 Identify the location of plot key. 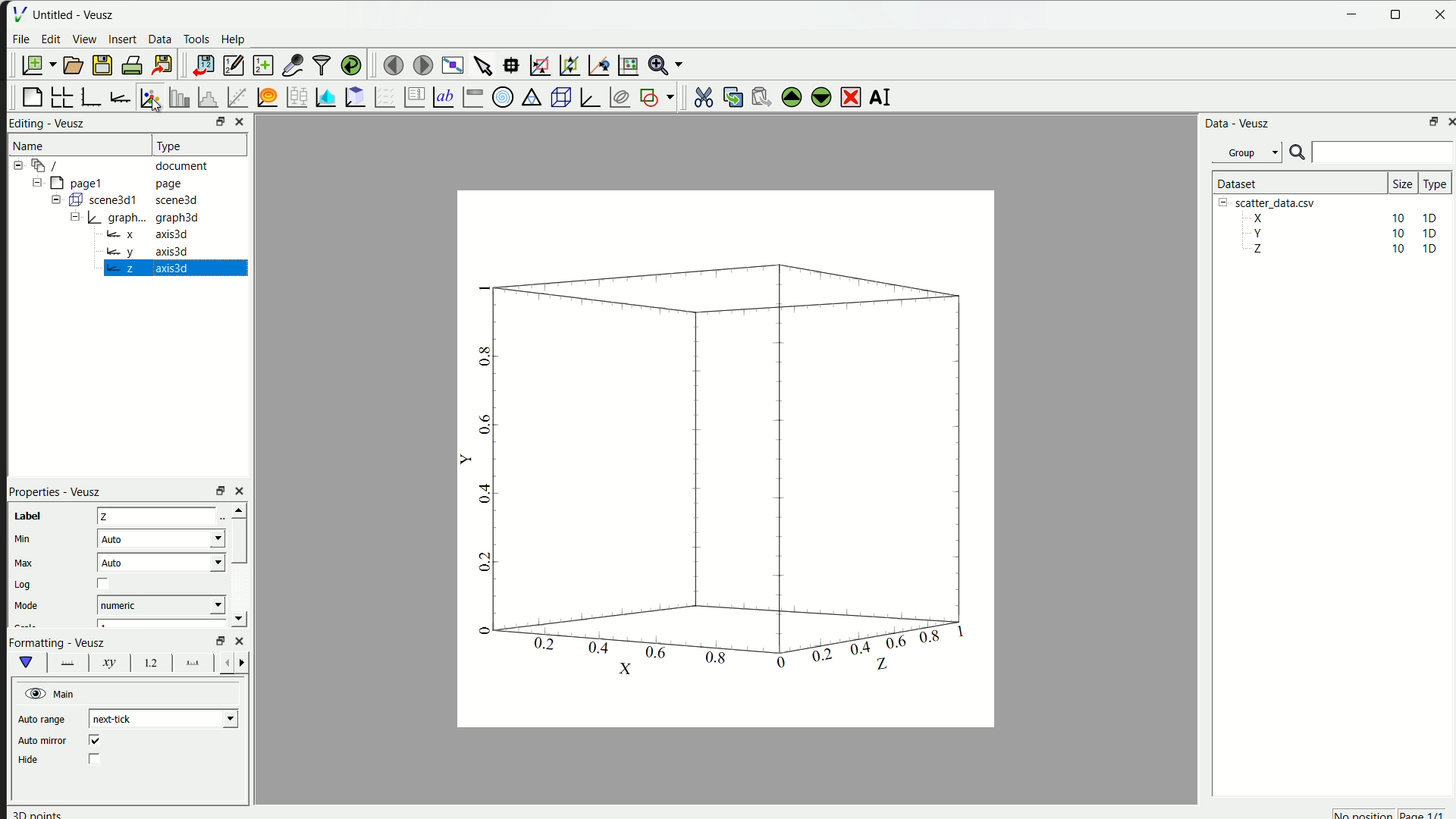
(411, 98).